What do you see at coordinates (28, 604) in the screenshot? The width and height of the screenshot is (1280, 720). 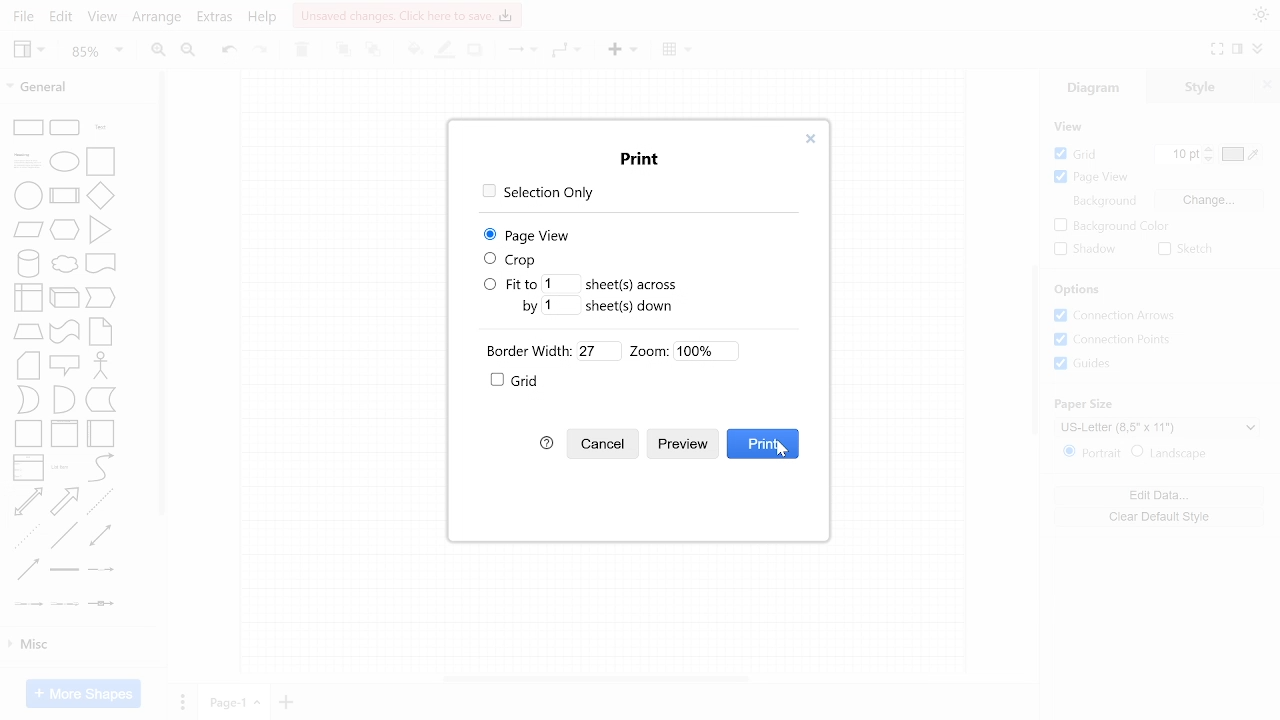 I see `Connector with 2 labels` at bounding box center [28, 604].